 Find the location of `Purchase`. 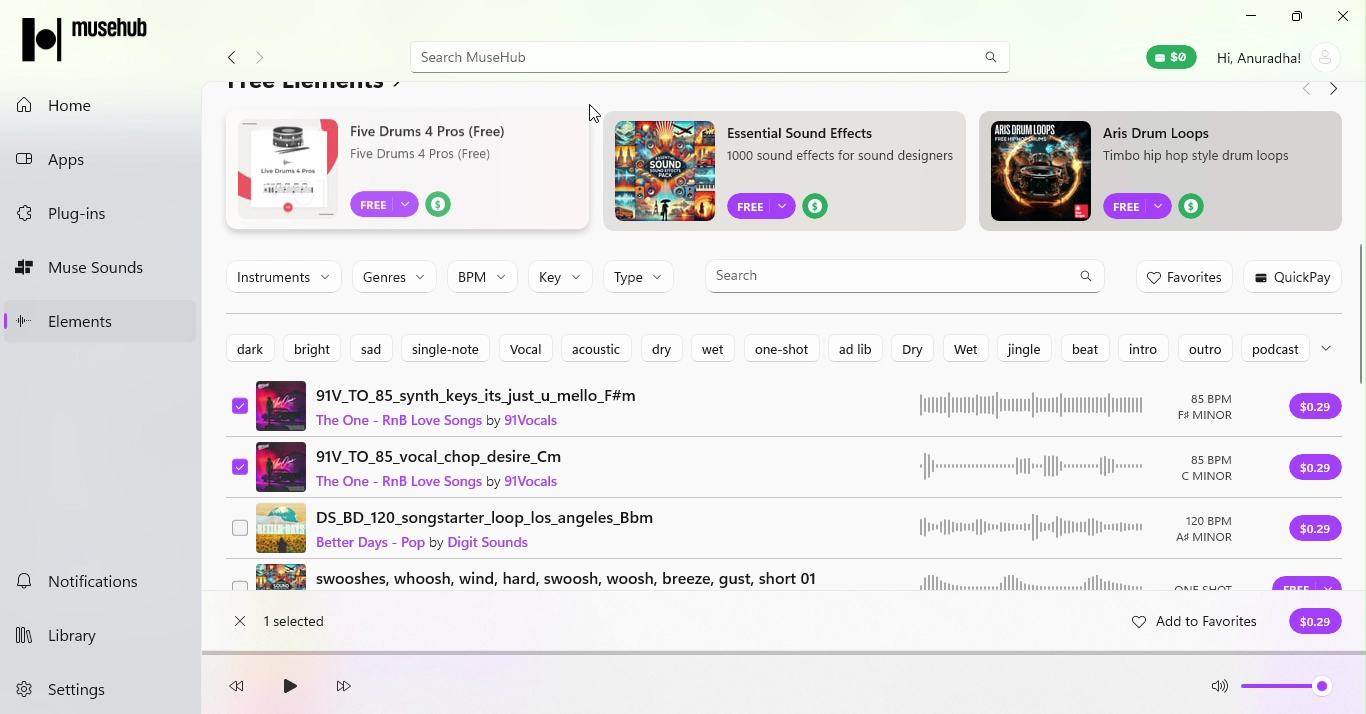

Purchase is located at coordinates (1308, 584).